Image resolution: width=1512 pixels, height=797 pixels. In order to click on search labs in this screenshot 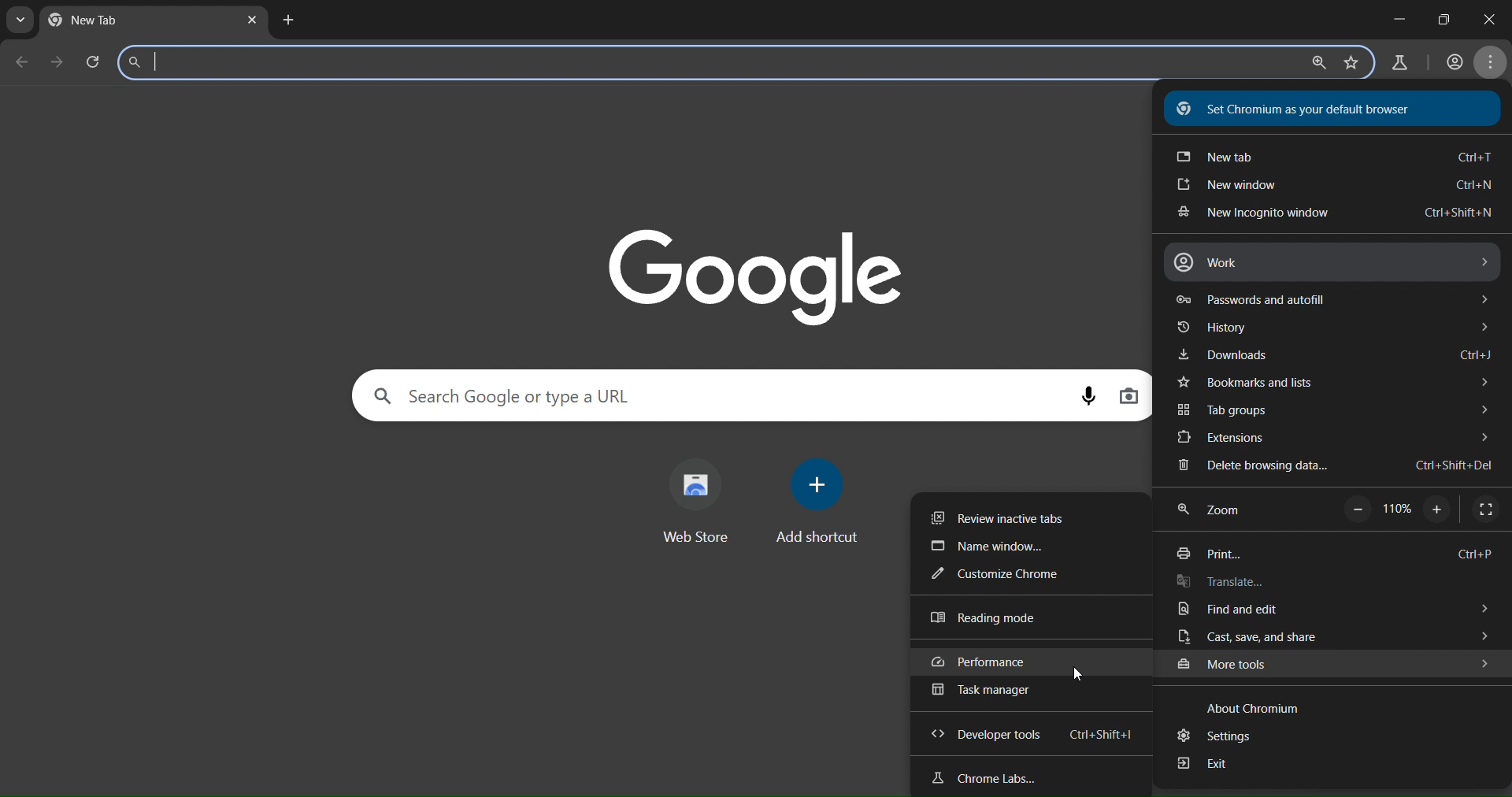, I will do `click(1402, 64)`.